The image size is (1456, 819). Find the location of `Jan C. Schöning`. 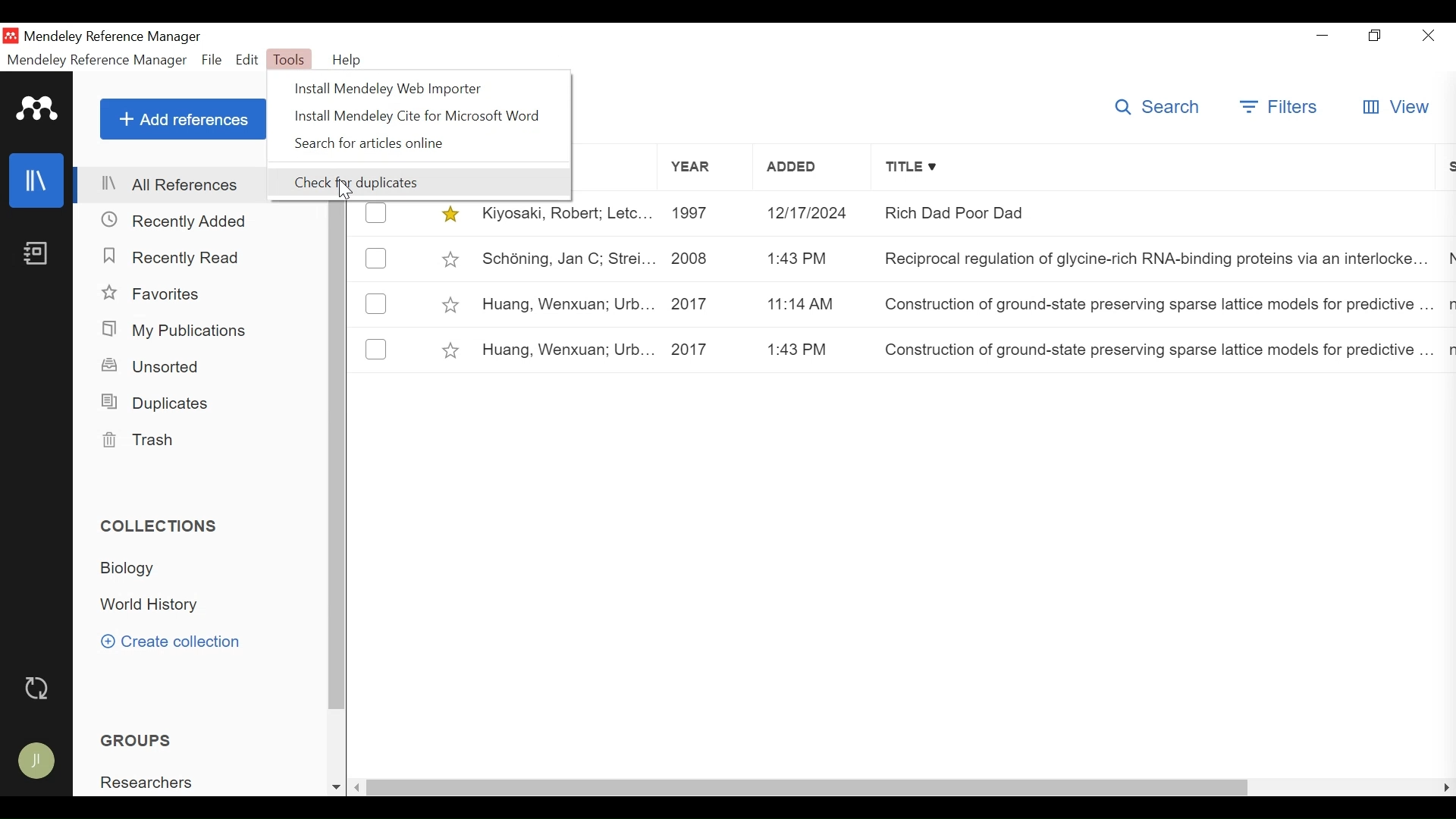

Jan C. Schöning is located at coordinates (567, 260).